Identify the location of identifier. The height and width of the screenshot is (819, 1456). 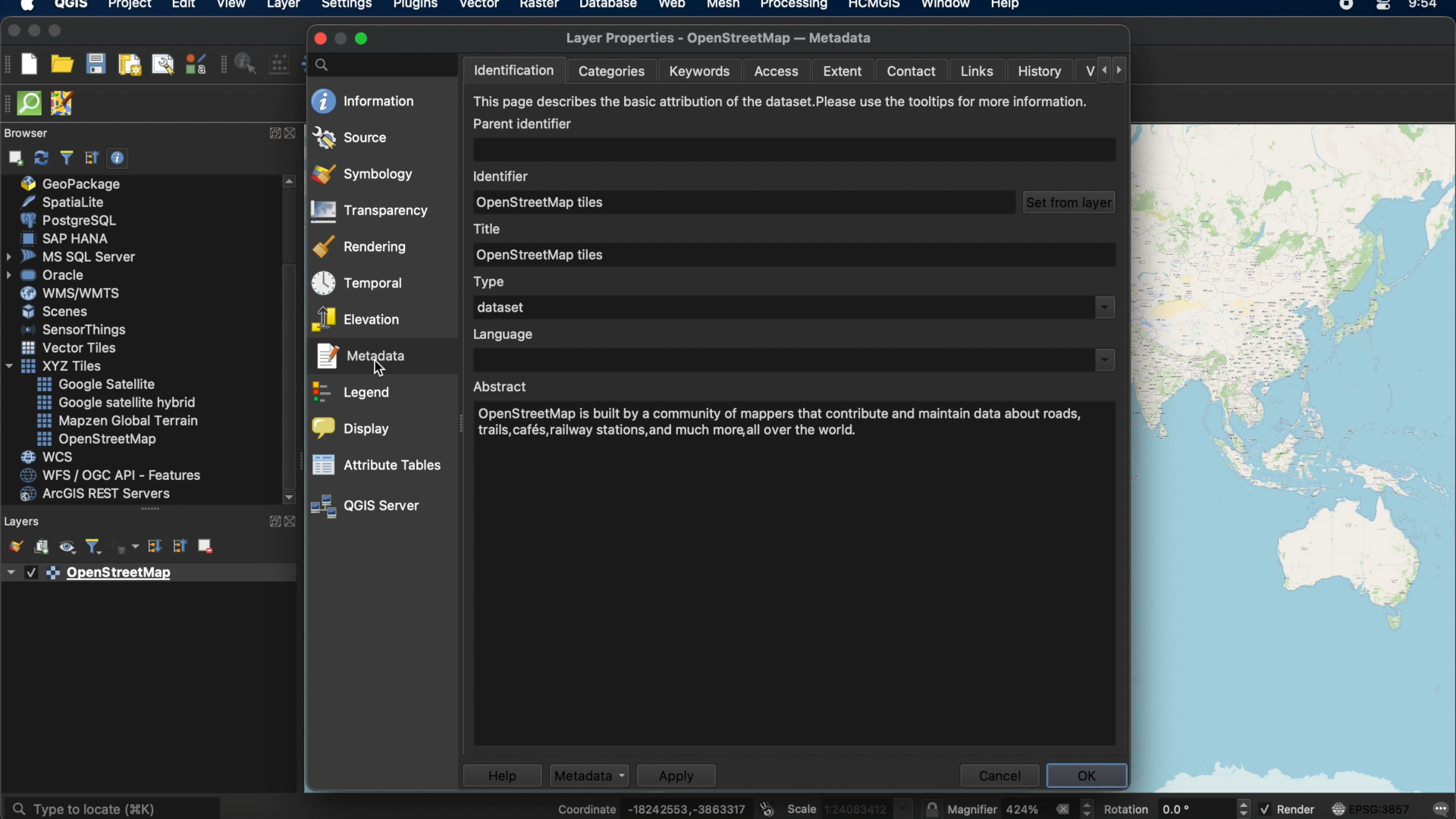
(504, 175).